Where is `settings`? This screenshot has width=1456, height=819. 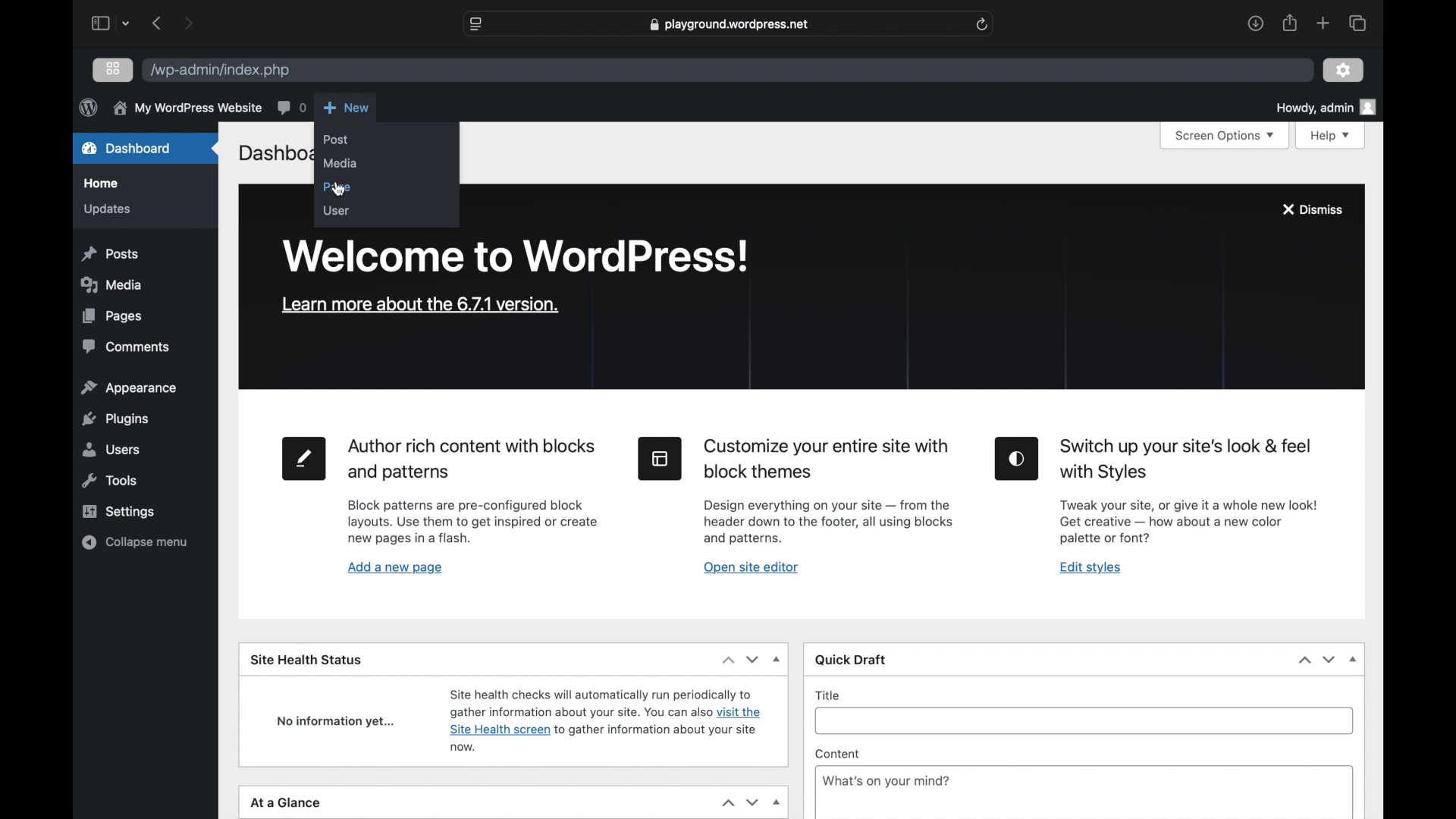 settings is located at coordinates (121, 512).